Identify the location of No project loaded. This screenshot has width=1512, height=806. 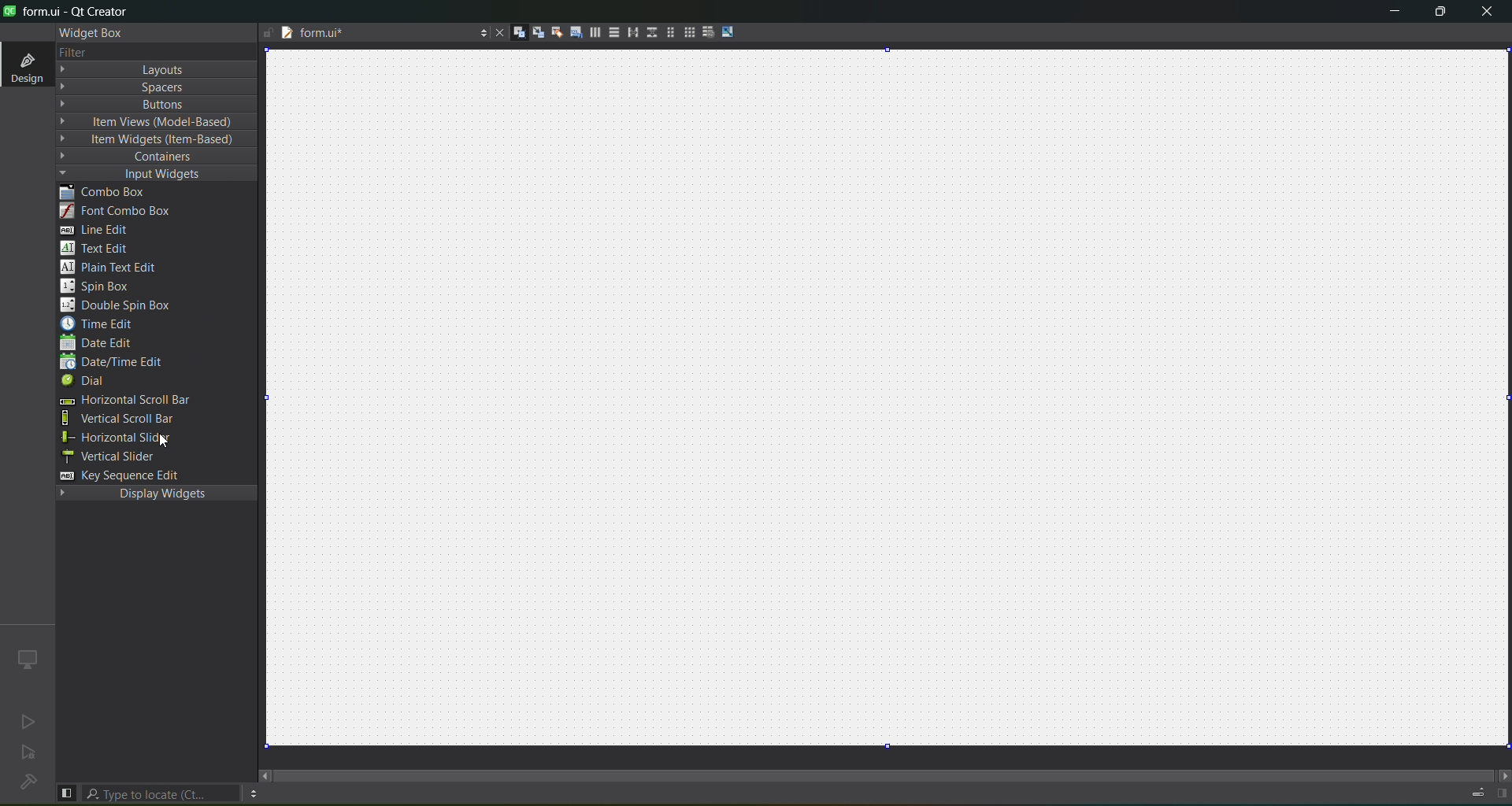
(27, 788).